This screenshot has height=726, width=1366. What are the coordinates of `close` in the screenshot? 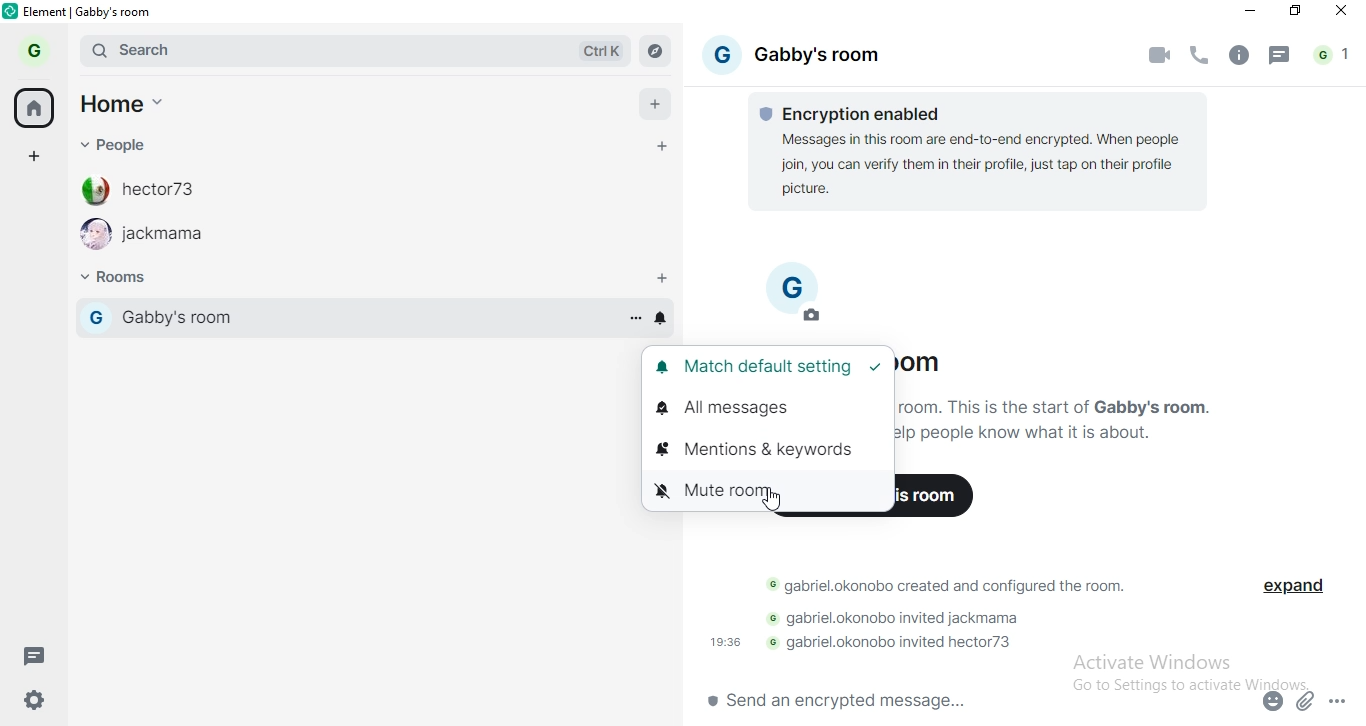 It's located at (1346, 13).